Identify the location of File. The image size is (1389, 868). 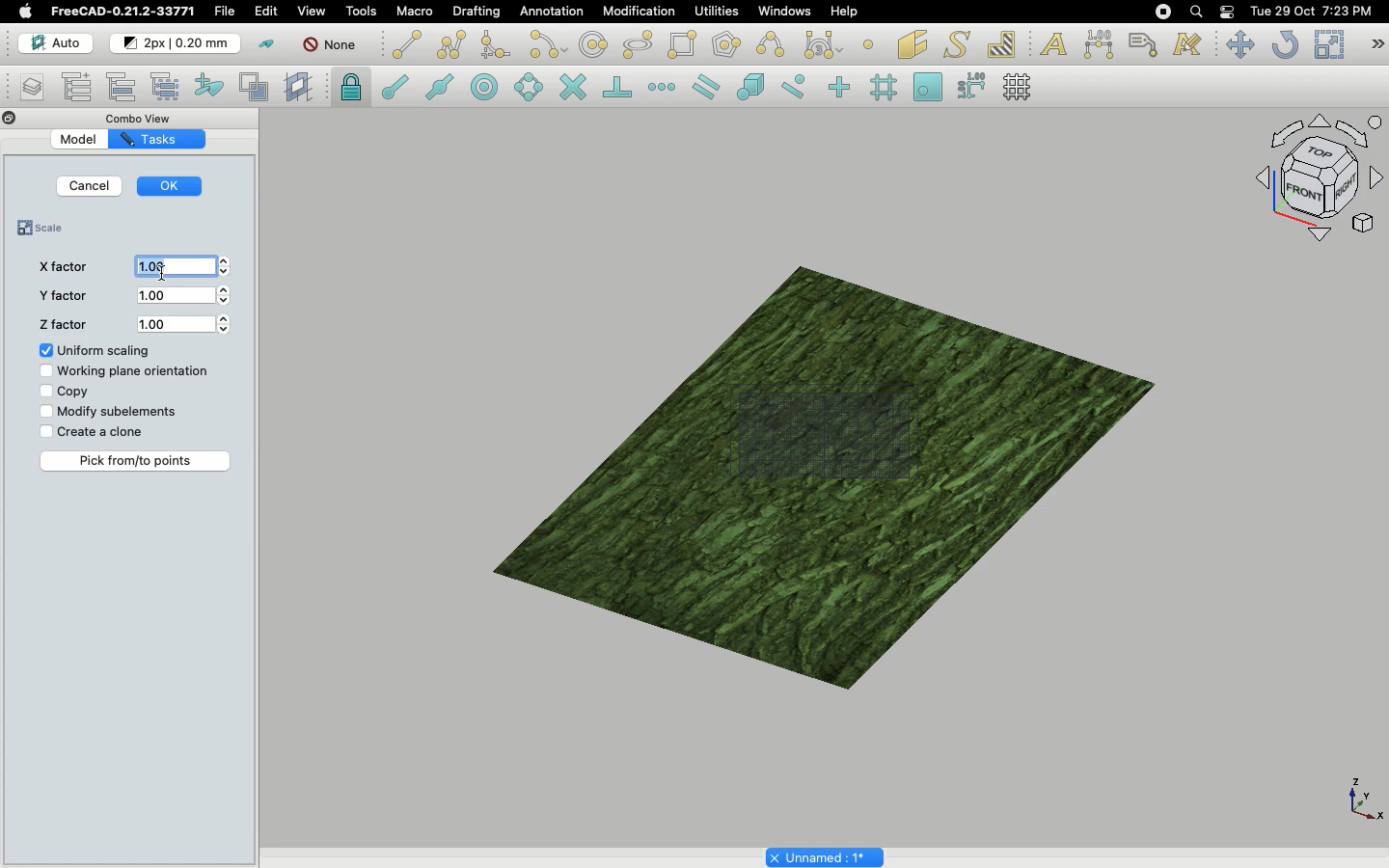
(227, 12).